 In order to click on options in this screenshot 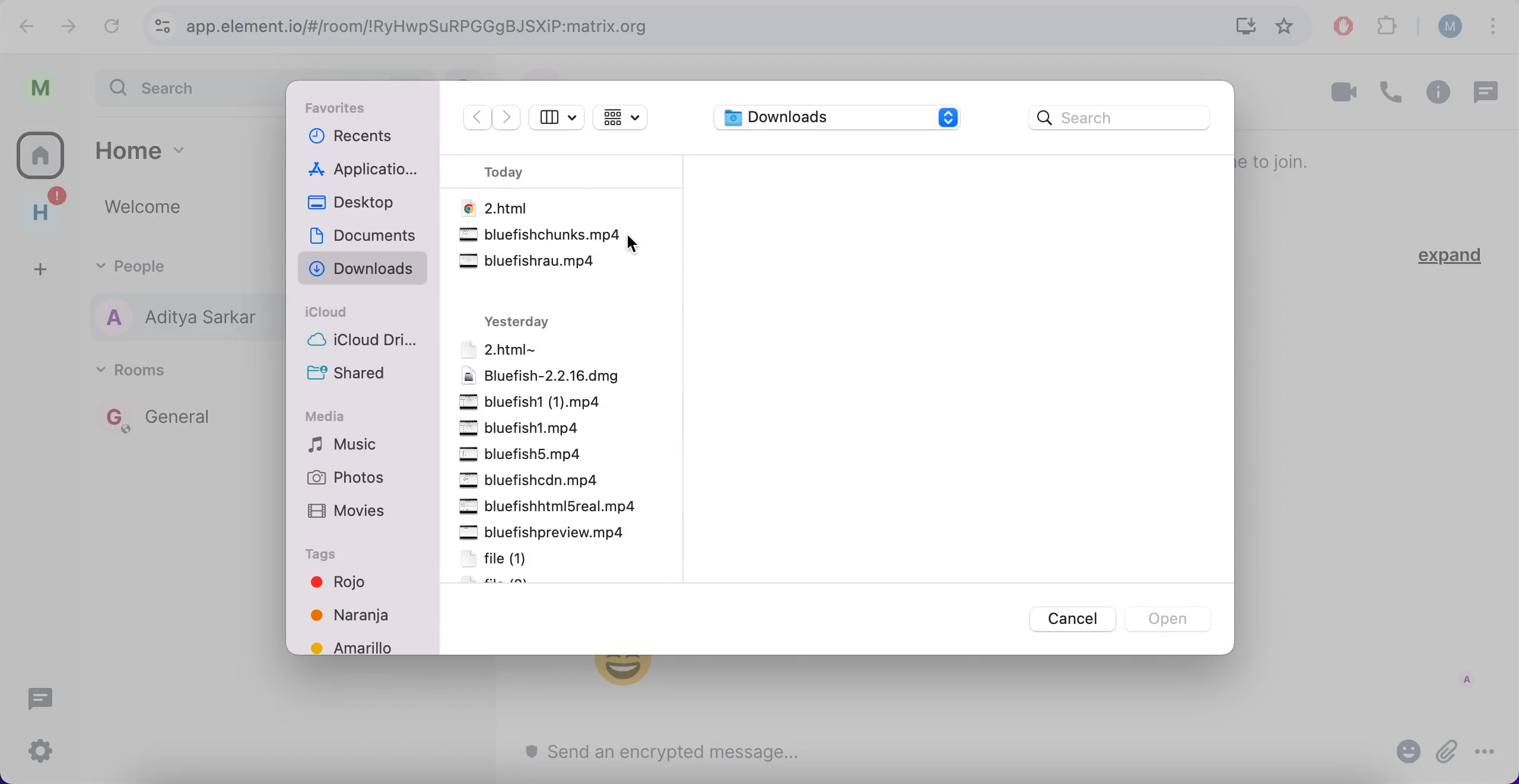, I will do `click(1493, 756)`.